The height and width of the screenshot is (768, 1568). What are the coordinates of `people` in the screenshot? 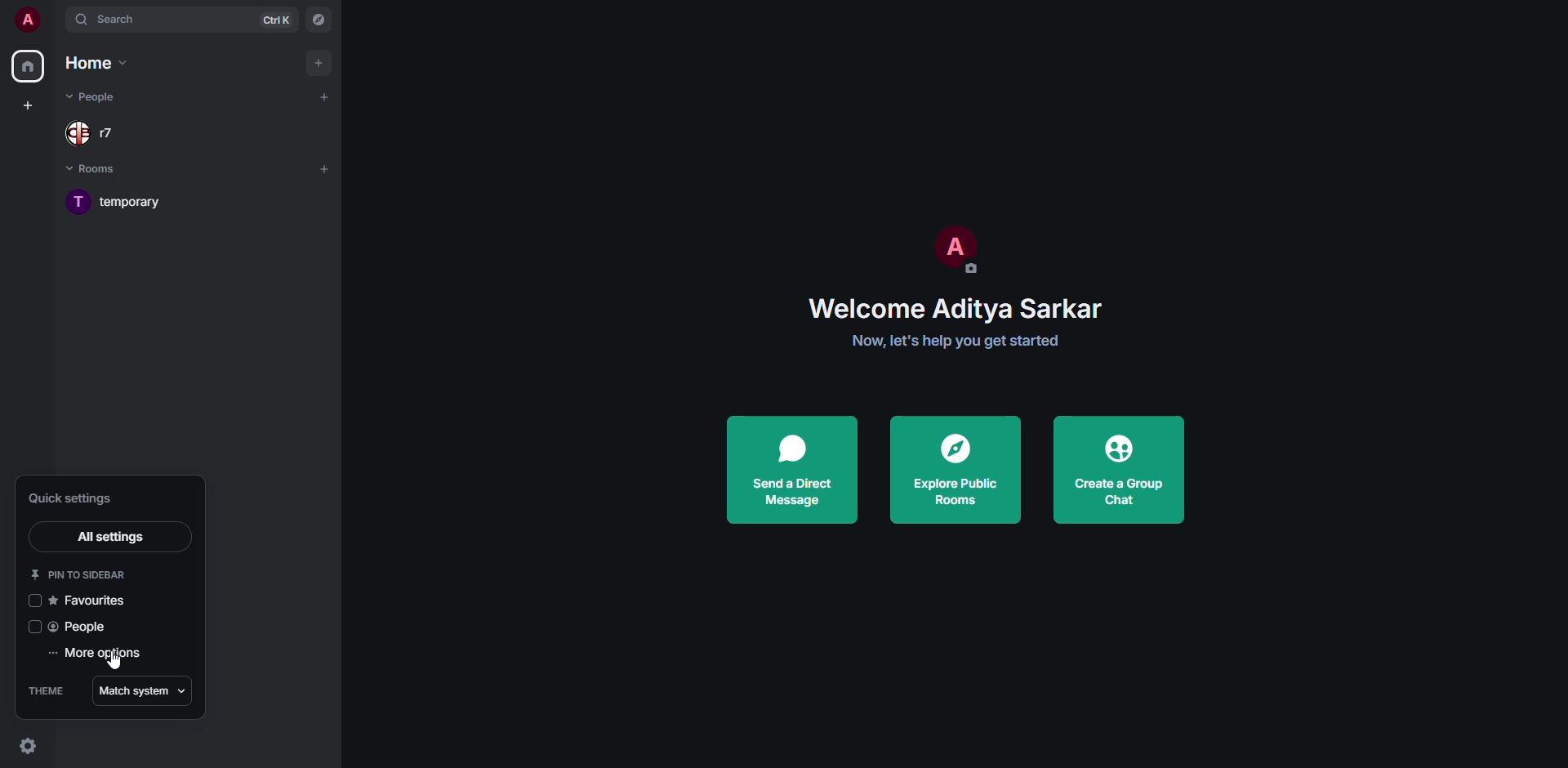 It's located at (81, 627).